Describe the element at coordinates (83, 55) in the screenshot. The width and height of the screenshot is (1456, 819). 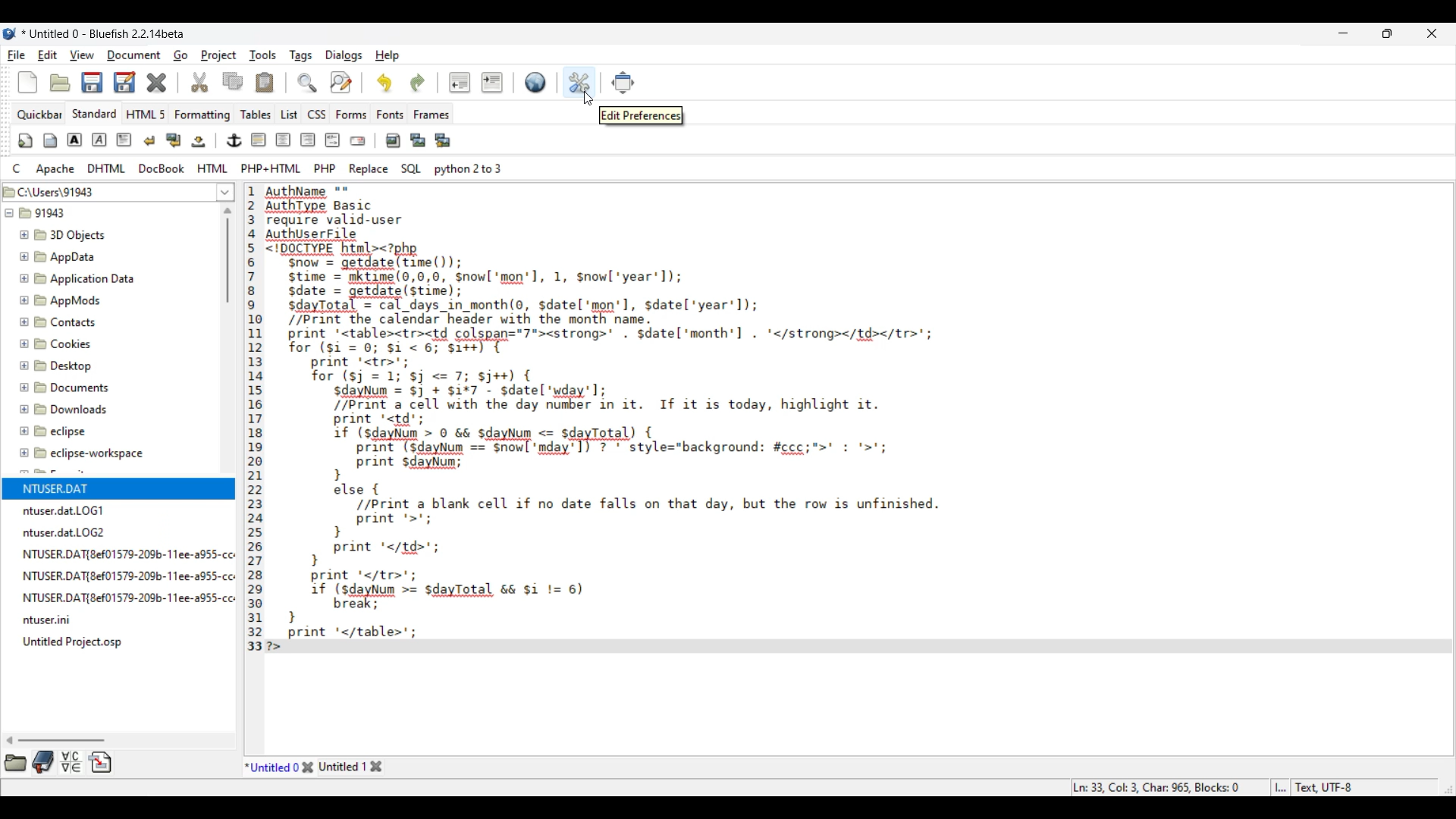
I see `View menu` at that location.